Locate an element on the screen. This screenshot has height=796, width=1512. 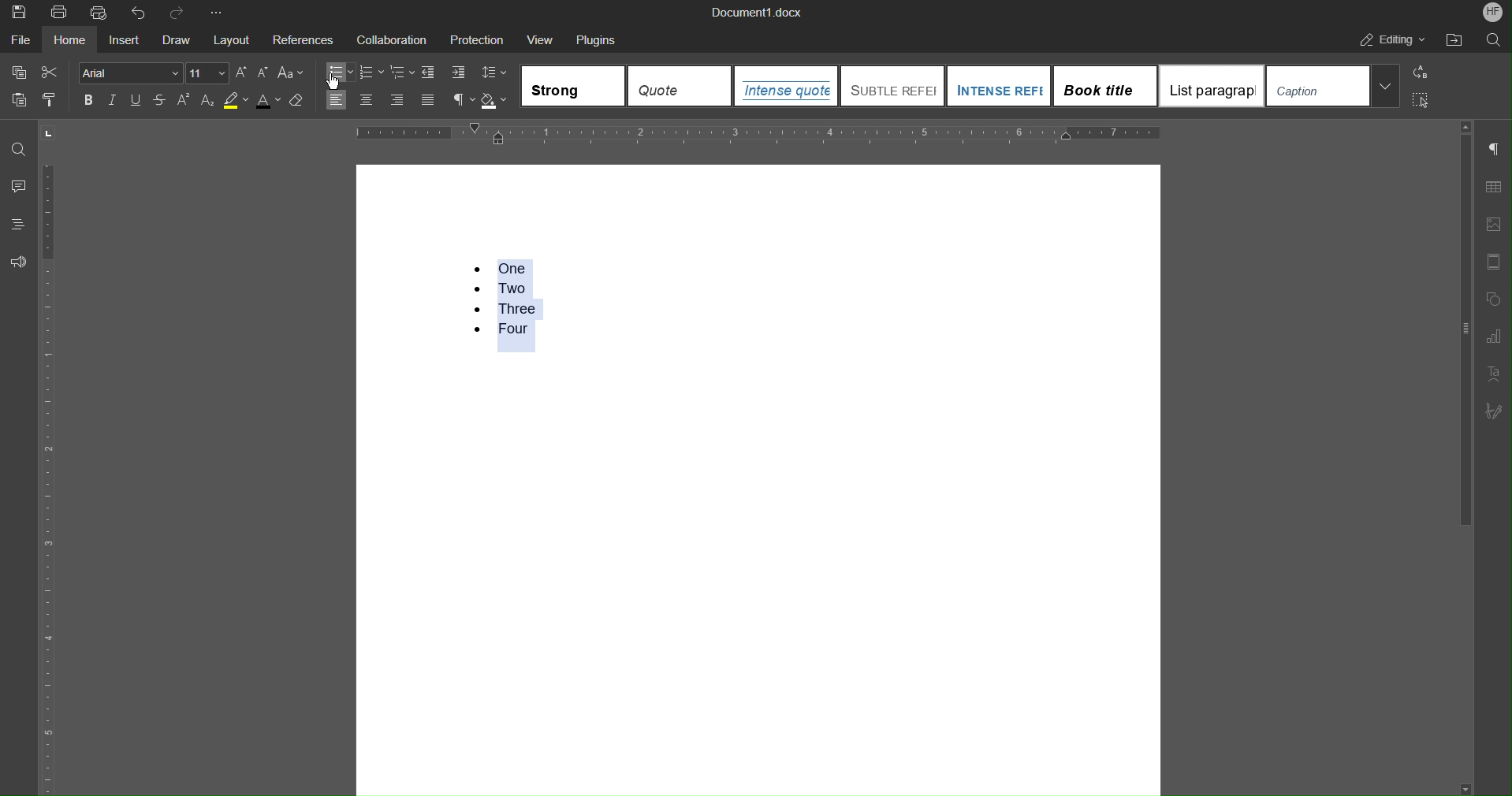
Replace is located at coordinates (1419, 73).